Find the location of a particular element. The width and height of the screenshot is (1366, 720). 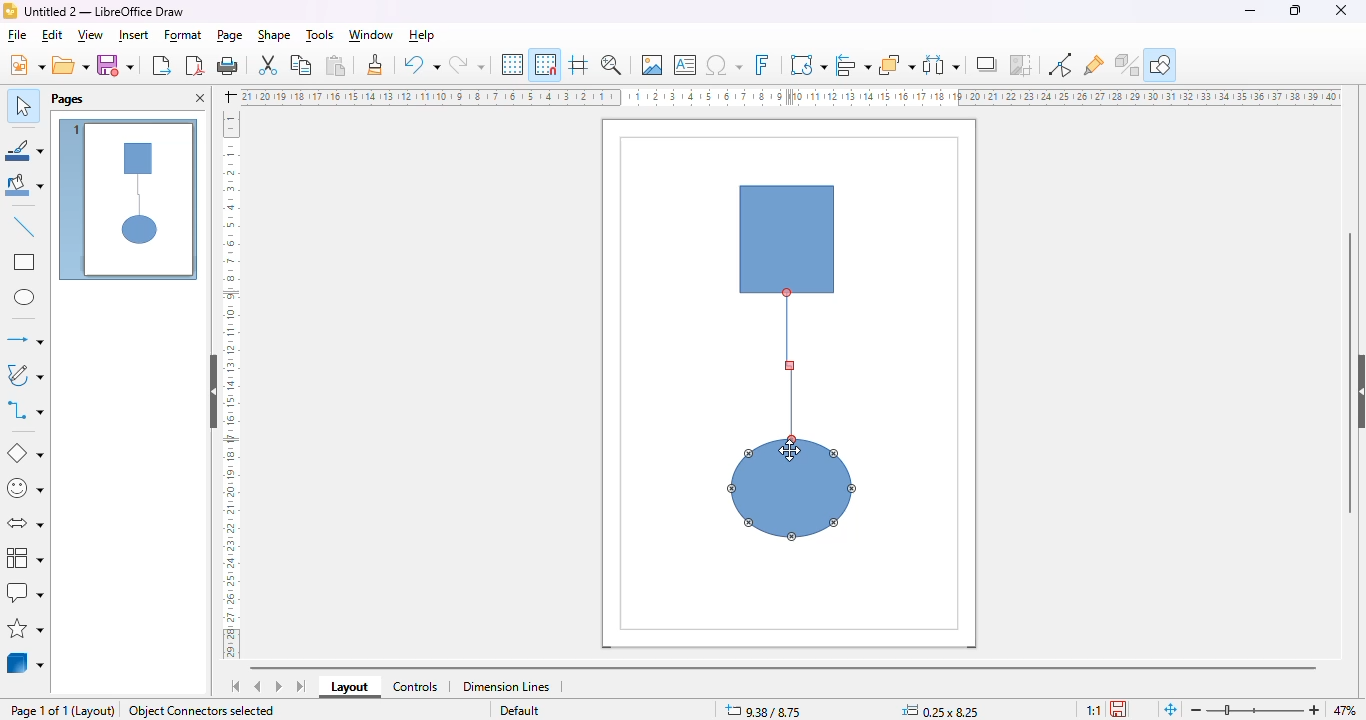

lines and arrows is located at coordinates (24, 339).